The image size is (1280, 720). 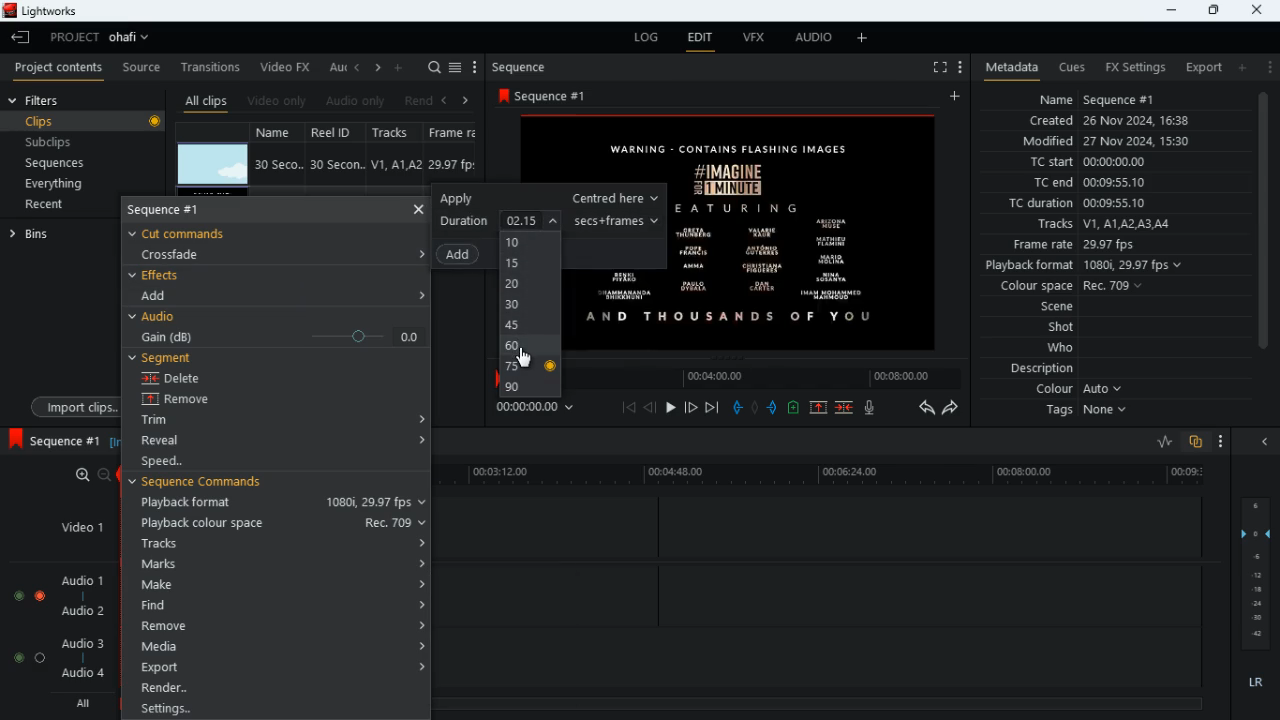 What do you see at coordinates (55, 233) in the screenshot?
I see `bins` at bounding box center [55, 233].